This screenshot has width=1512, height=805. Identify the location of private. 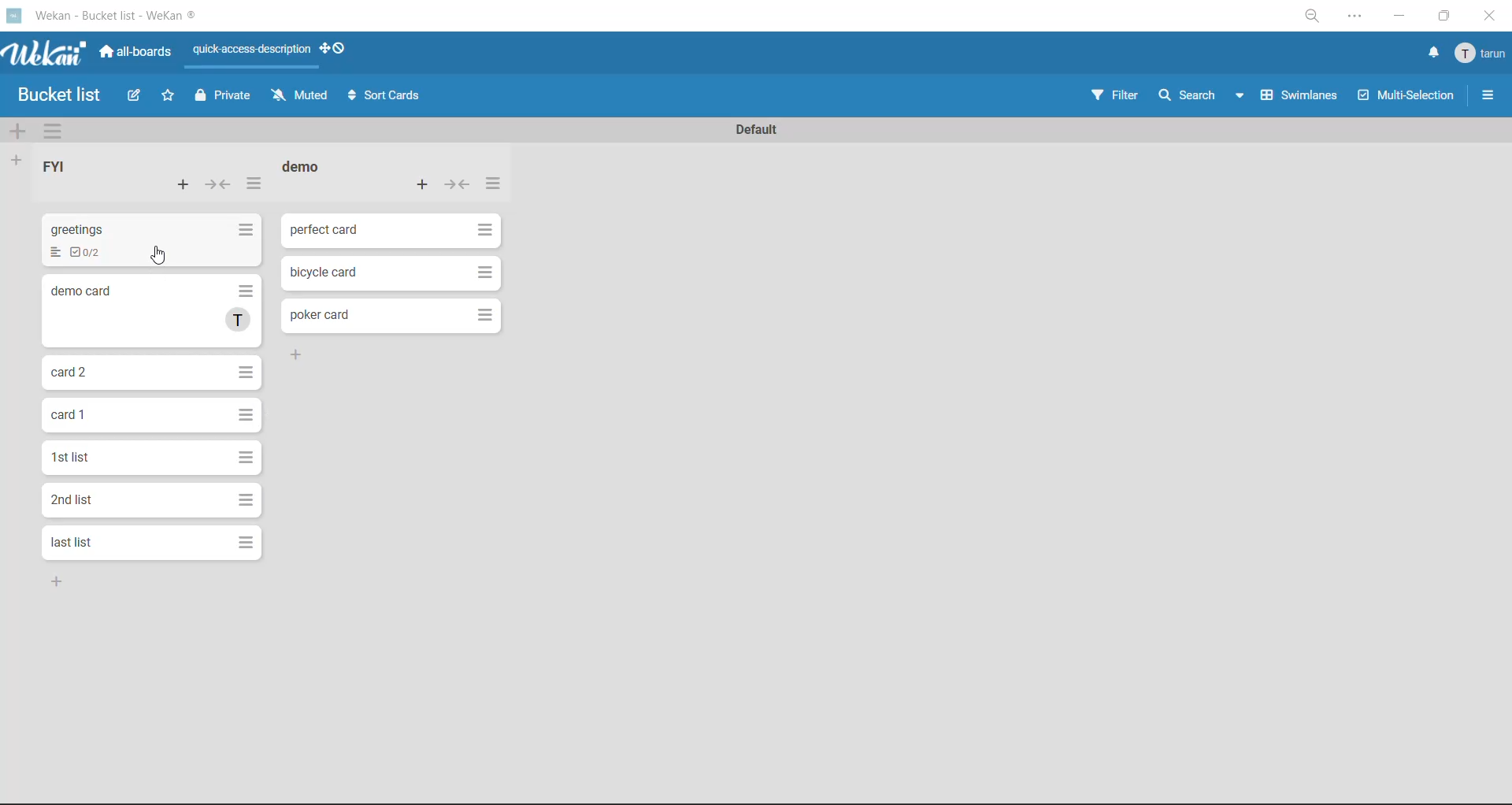
(222, 99).